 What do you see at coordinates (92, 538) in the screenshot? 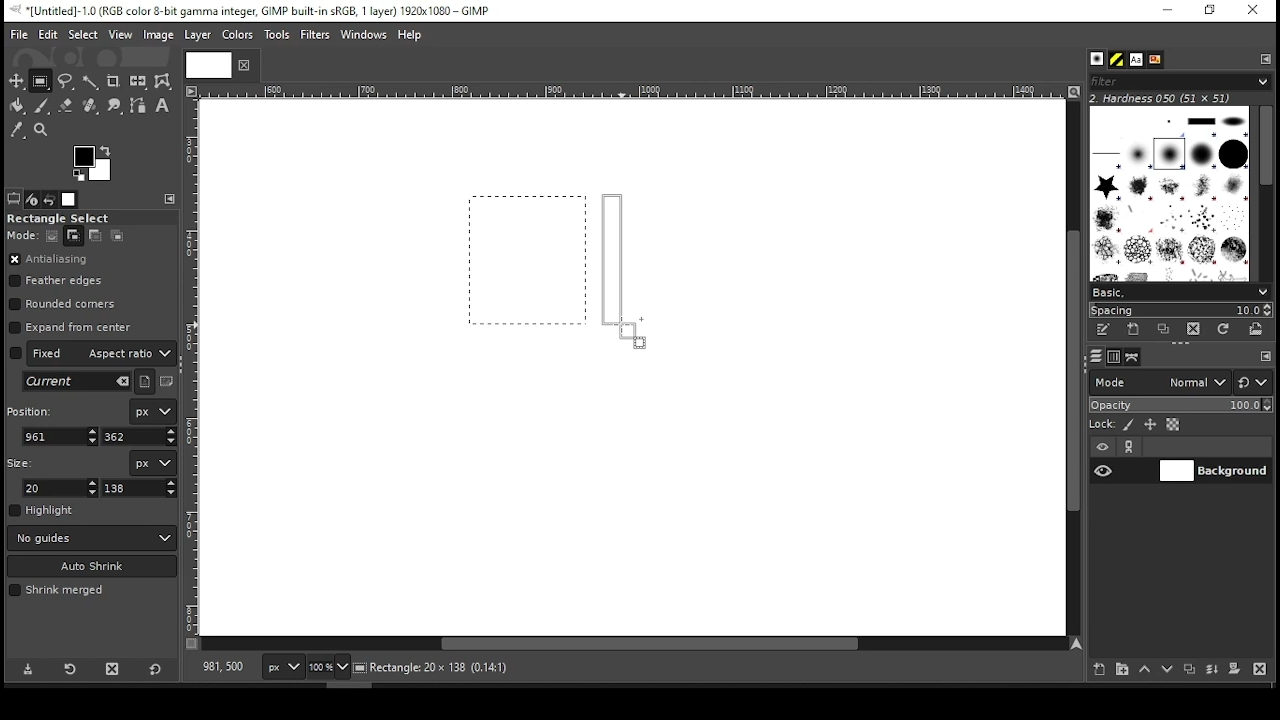
I see `guides` at bounding box center [92, 538].